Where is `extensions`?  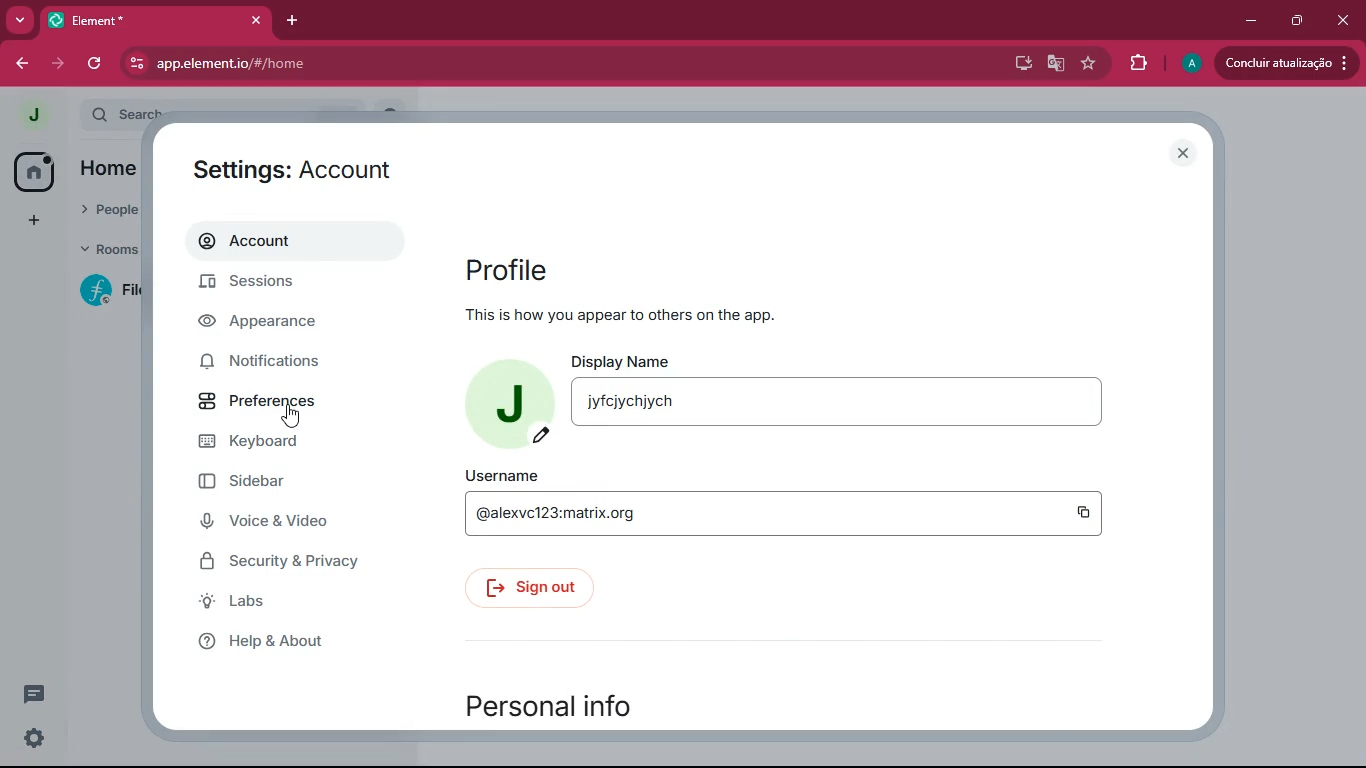 extensions is located at coordinates (1137, 63).